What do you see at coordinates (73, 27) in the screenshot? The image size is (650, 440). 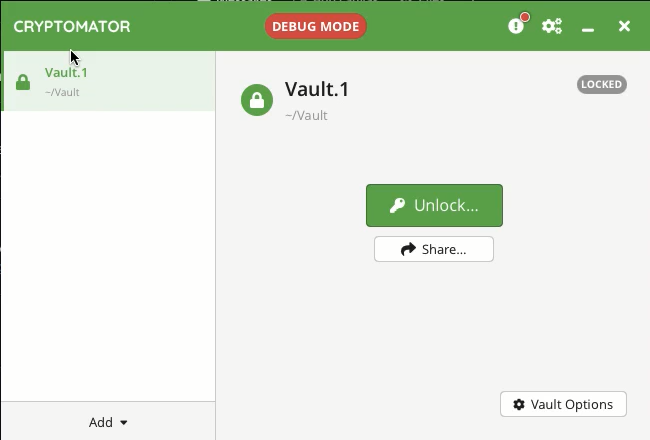 I see `CRYPTOMATOR` at bounding box center [73, 27].